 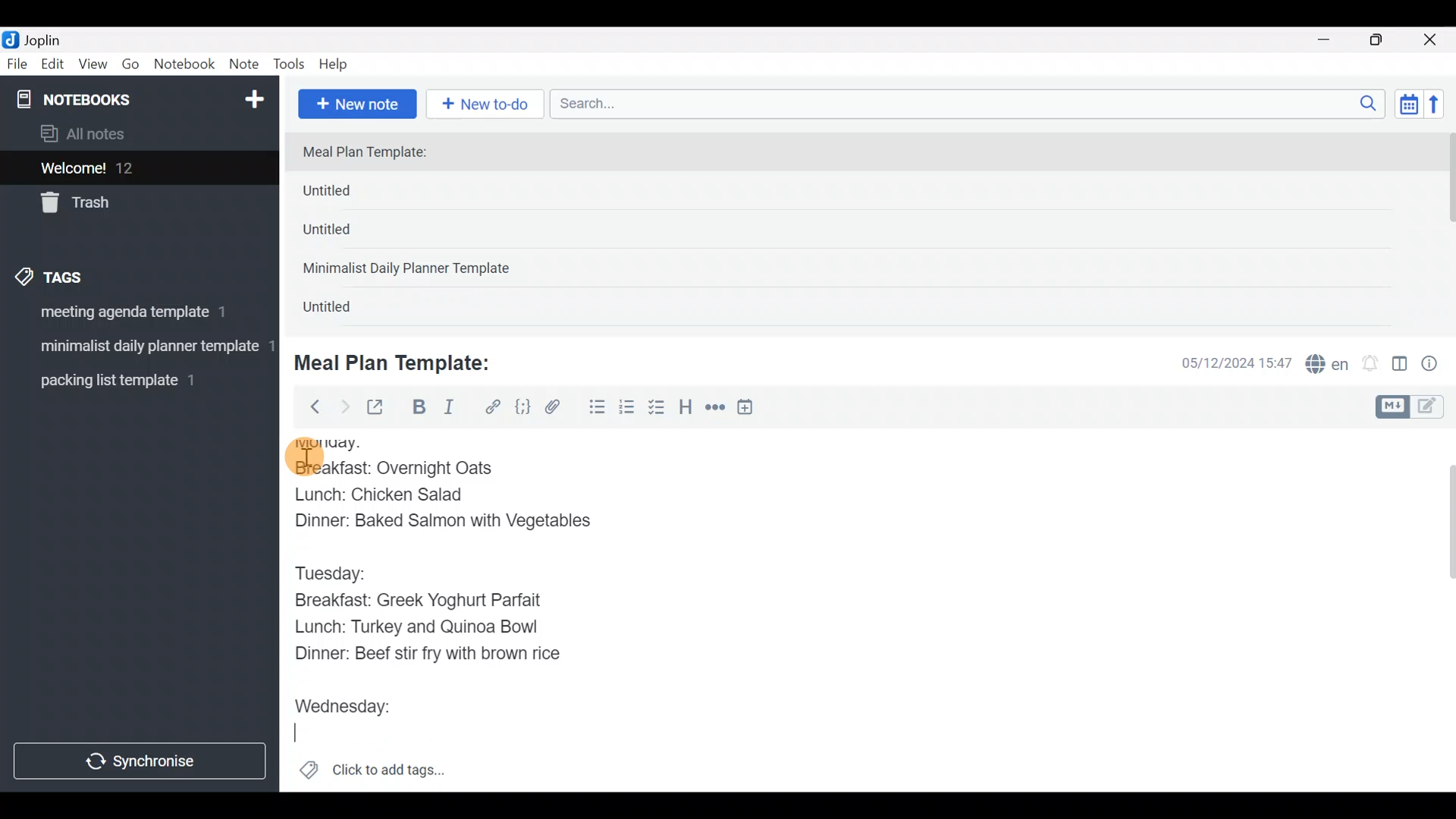 What do you see at coordinates (521, 406) in the screenshot?
I see `Code` at bounding box center [521, 406].